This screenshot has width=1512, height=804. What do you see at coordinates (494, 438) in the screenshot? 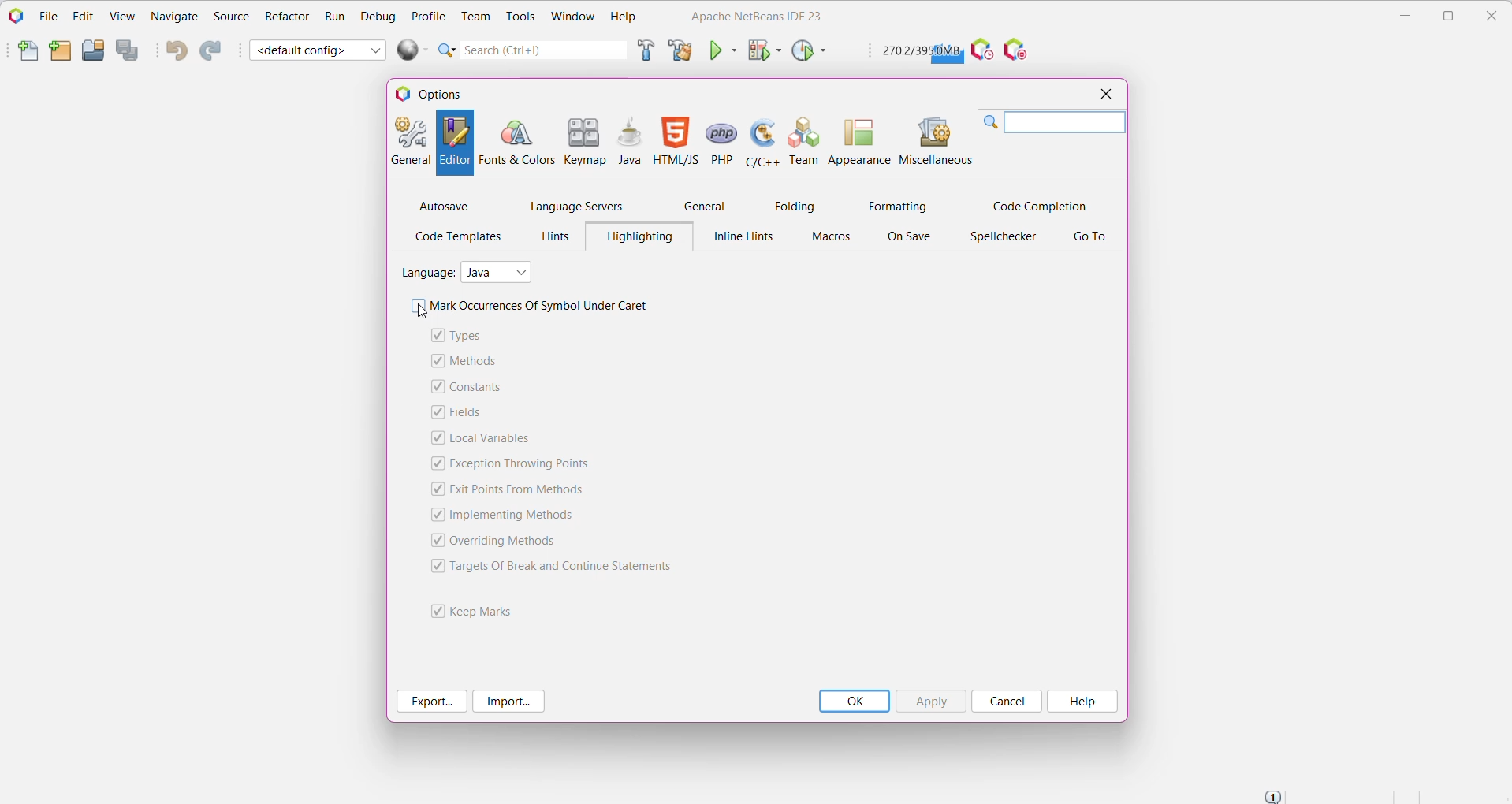
I see `Local Variables - click to enable` at bounding box center [494, 438].